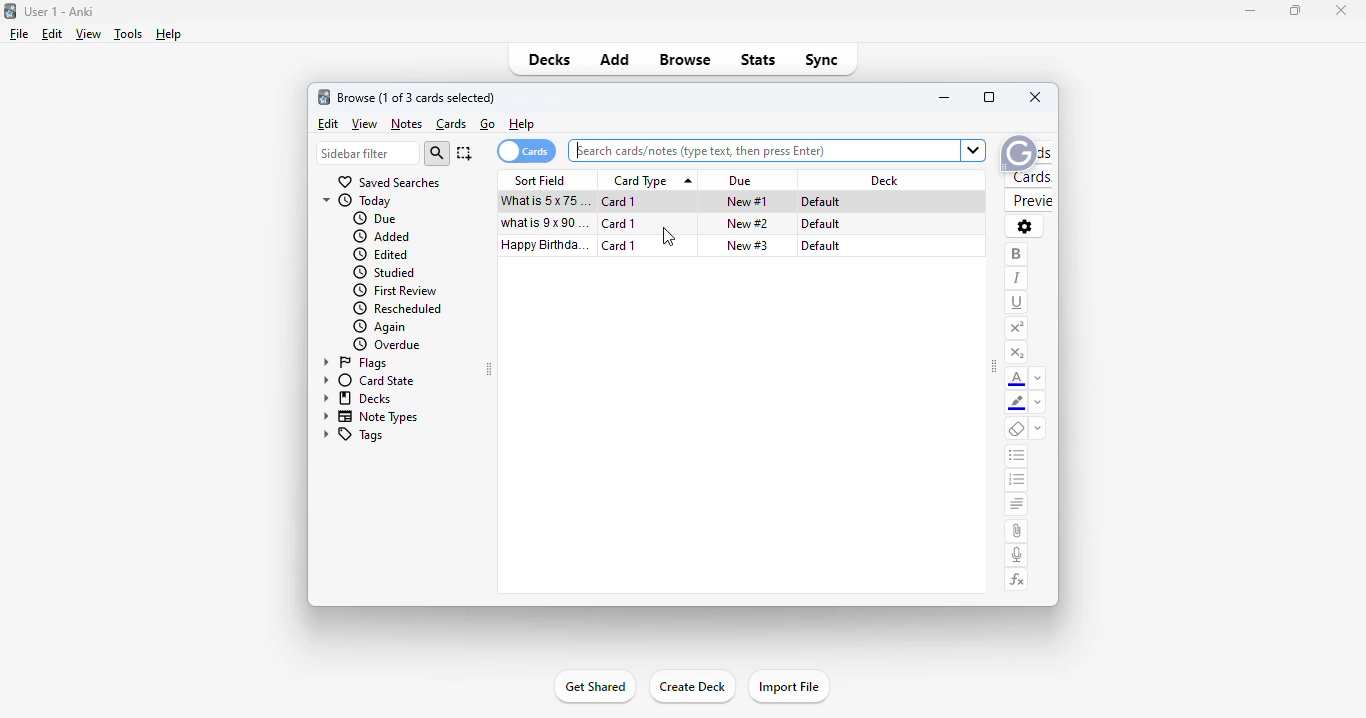 This screenshot has height=718, width=1366. What do you see at coordinates (525, 151) in the screenshot?
I see `cards` at bounding box center [525, 151].